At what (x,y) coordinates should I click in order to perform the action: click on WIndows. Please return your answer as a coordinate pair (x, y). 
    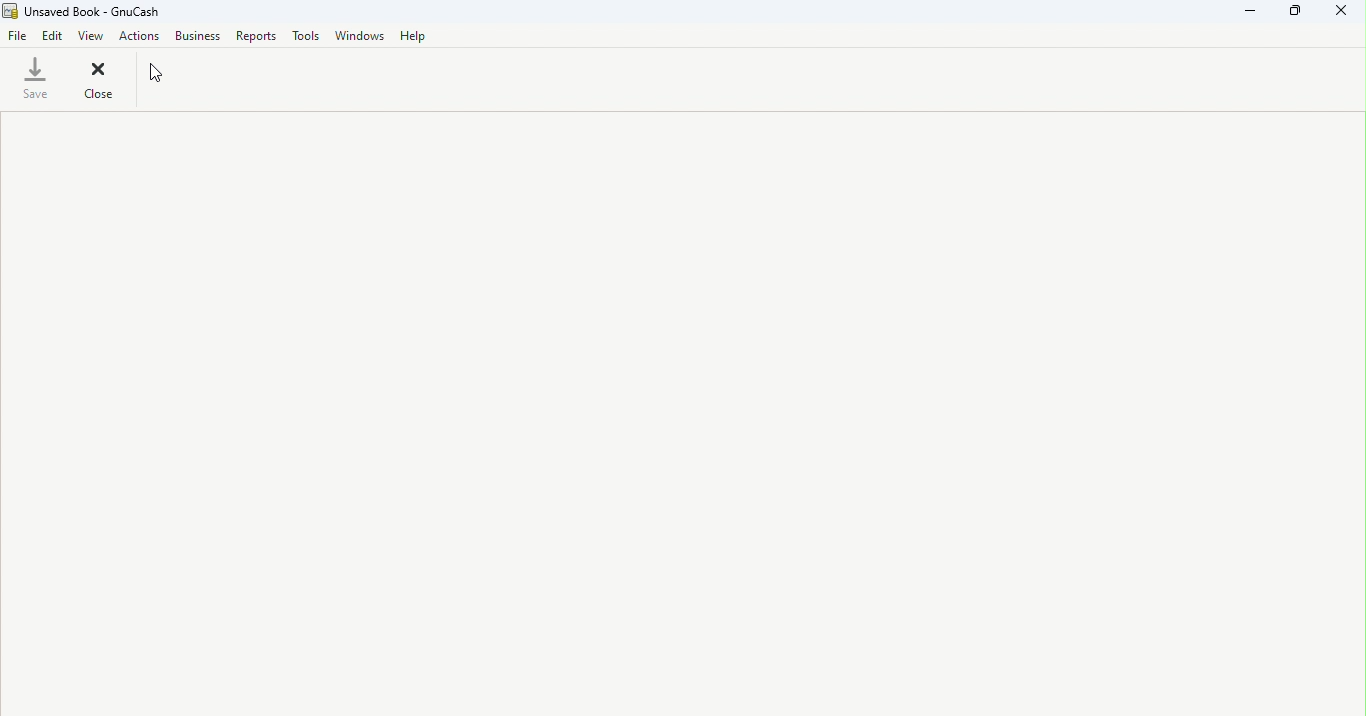
    Looking at the image, I should click on (363, 37).